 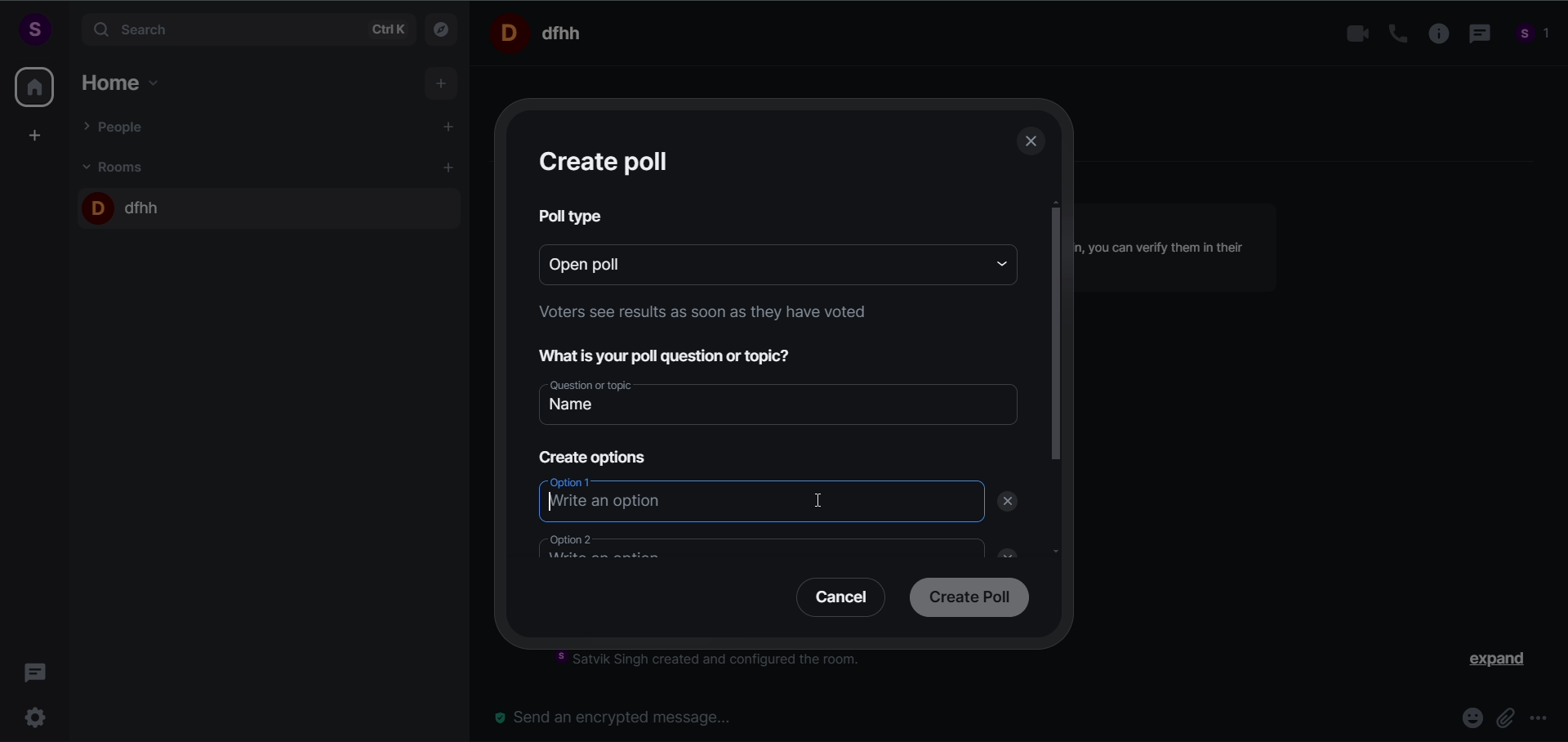 I want to click on remove, so click(x=1011, y=502).